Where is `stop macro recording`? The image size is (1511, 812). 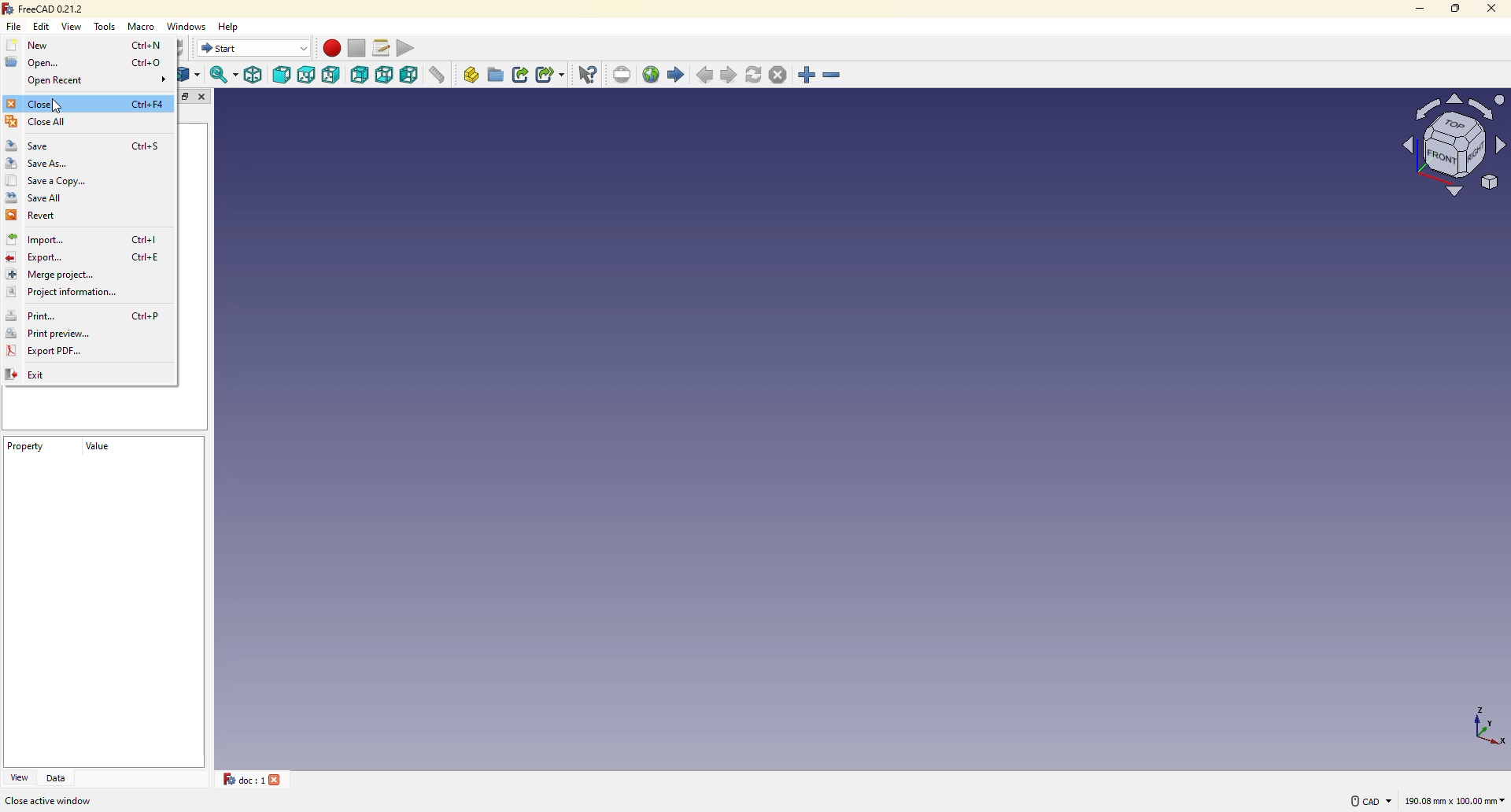
stop macro recording is located at coordinates (356, 49).